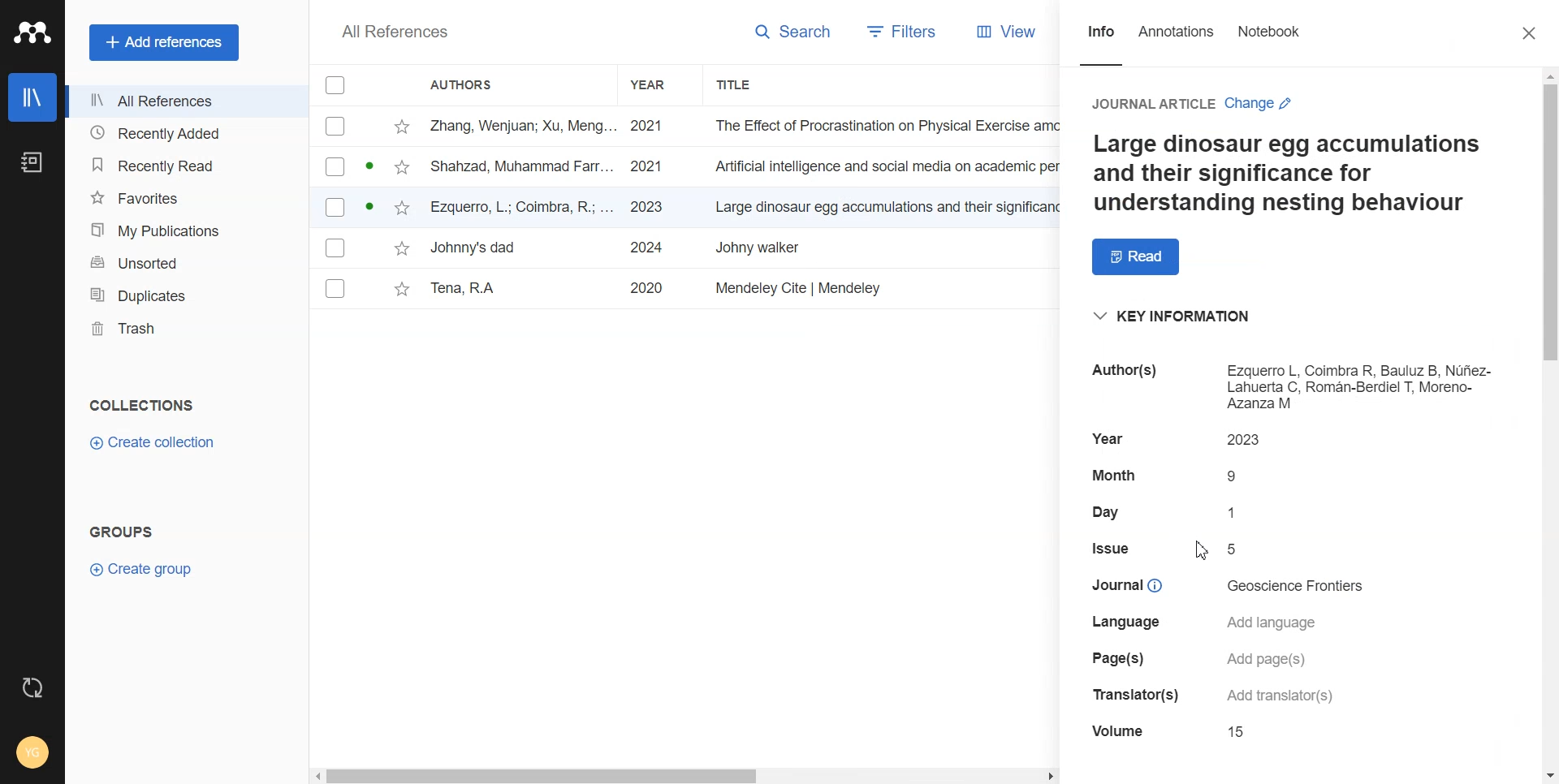 The image size is (1559, 784). I want to click on Authors, so click(469, 84).